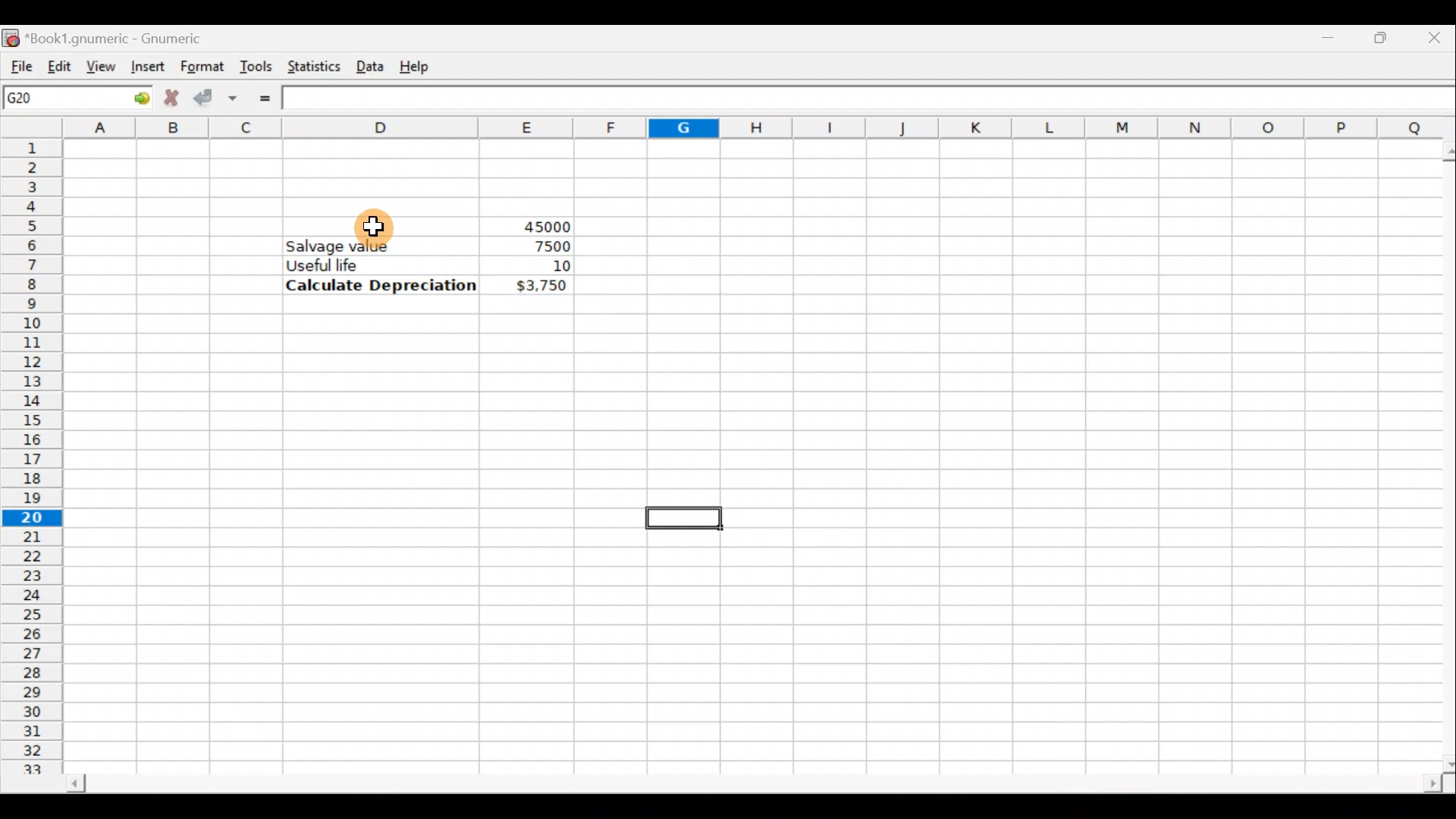 This screenshot has height=819, width=1456. I want to click on Columns, so click(760, 127).